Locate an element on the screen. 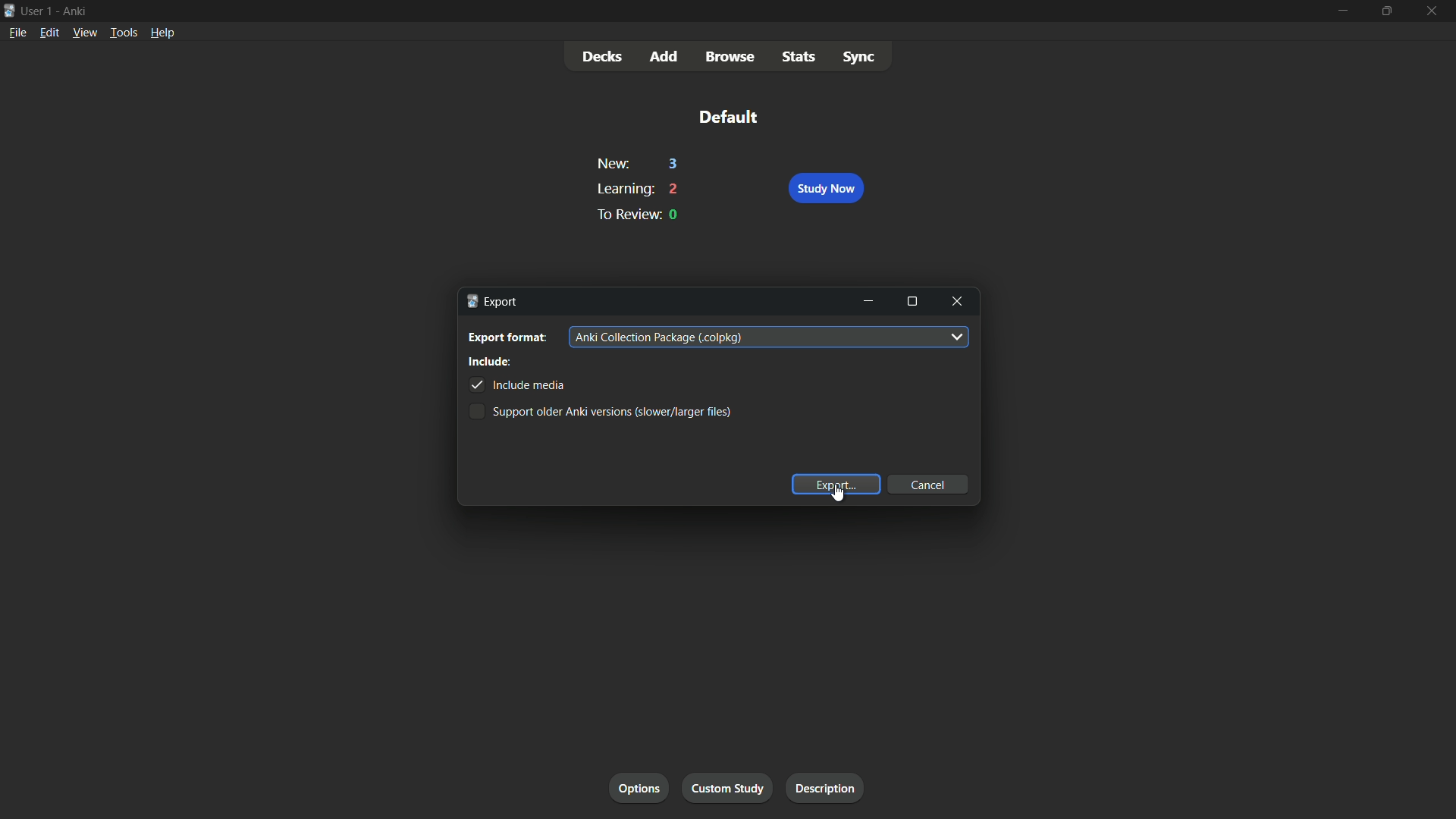 The height and width of the screenshot is (819, 1456). cursor is located at coordinates (843, 495).